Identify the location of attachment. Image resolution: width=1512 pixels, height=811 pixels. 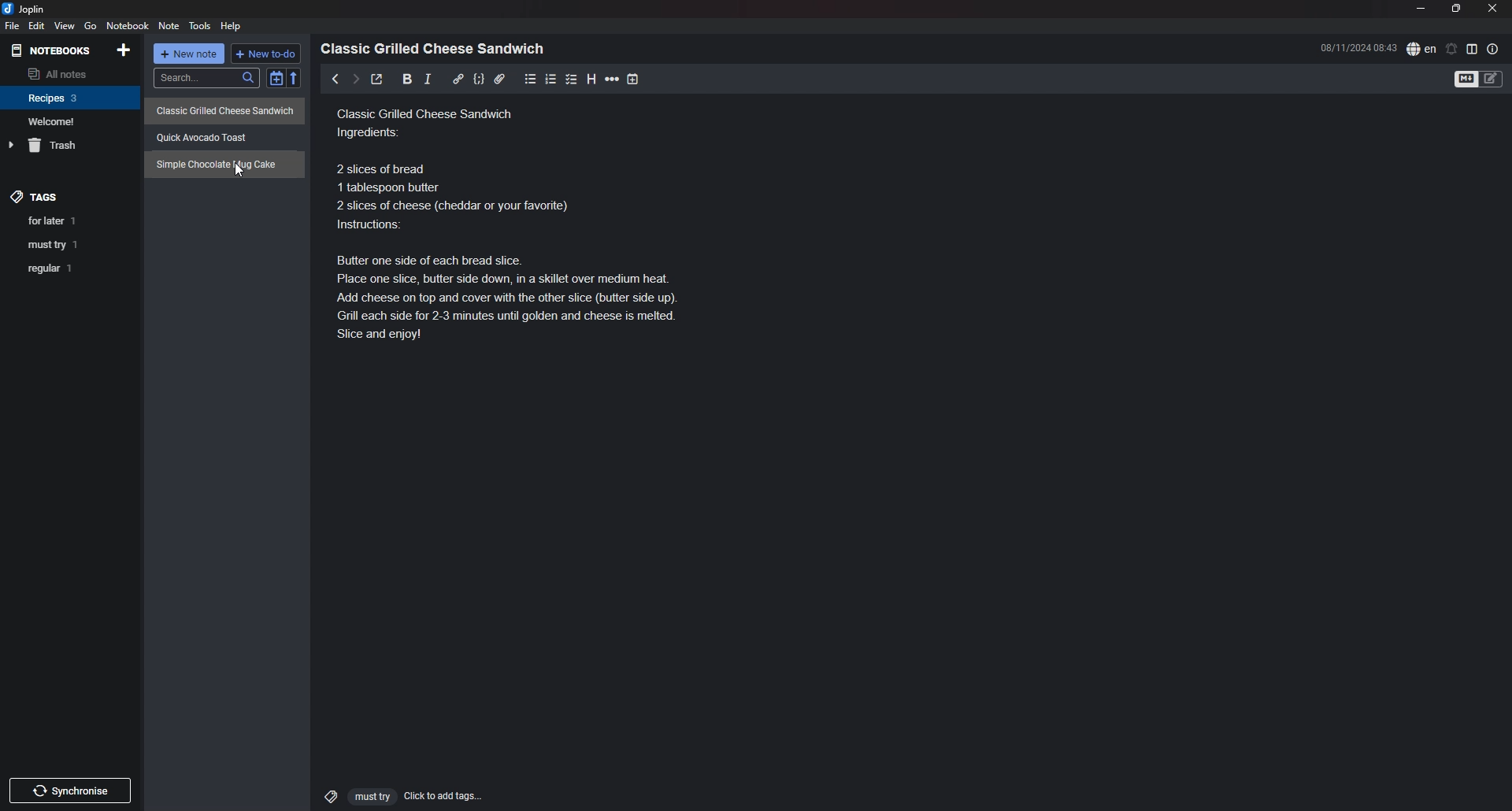
(499, 79).